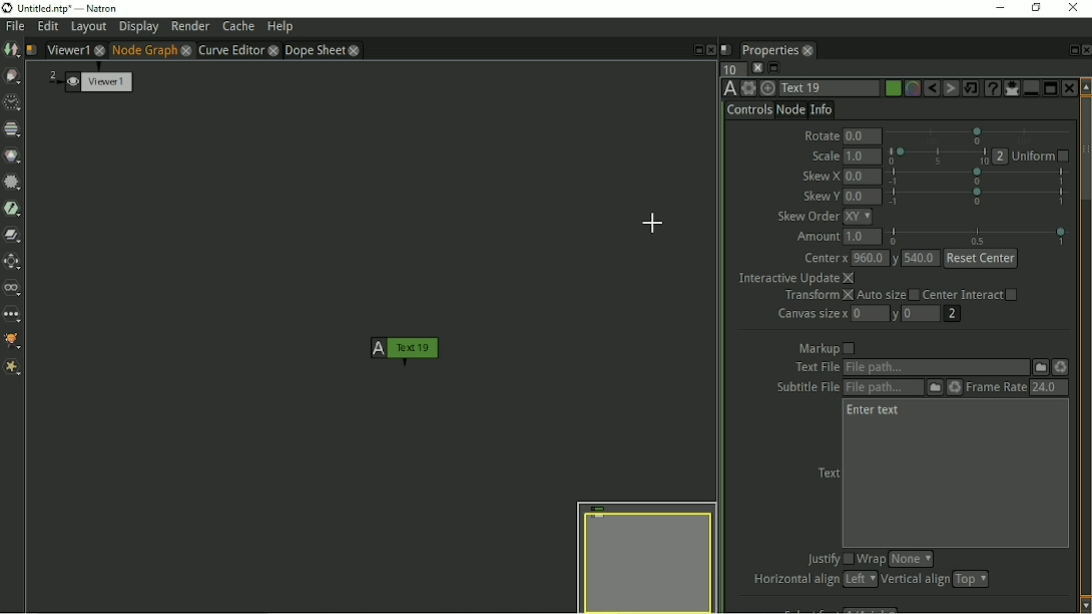  I want to click on 960, so click(871, 258).